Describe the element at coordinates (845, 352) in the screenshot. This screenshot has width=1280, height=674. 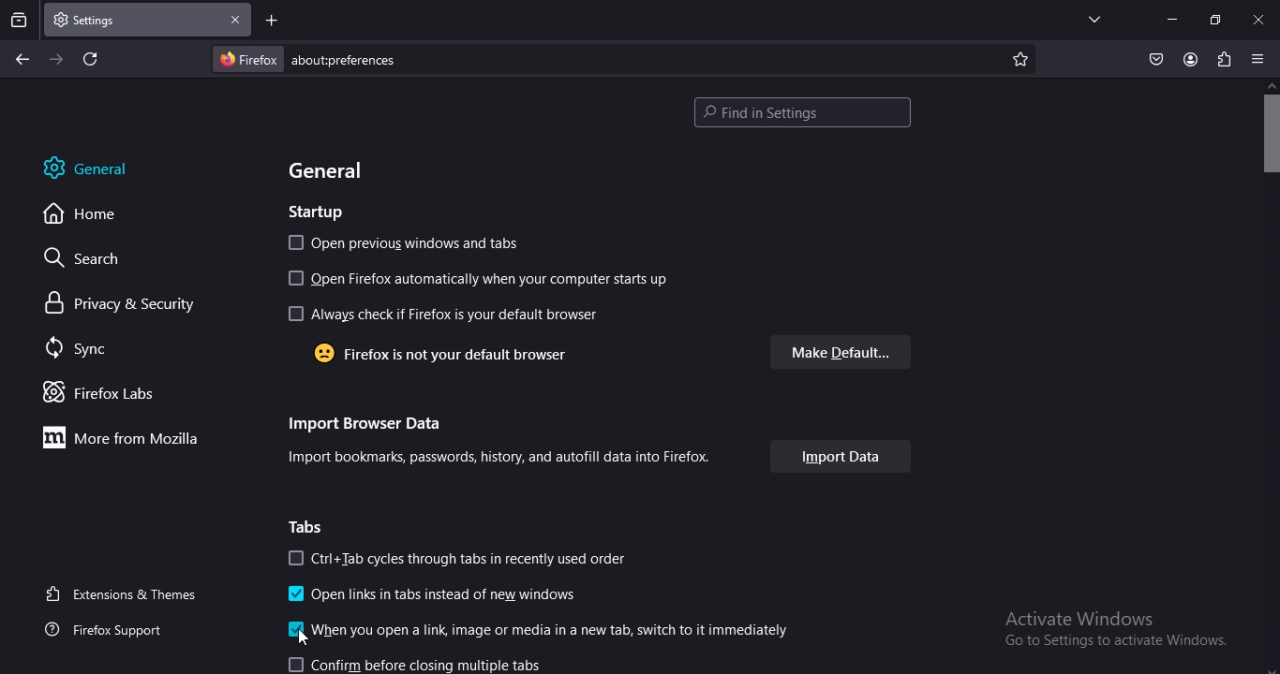
I see `make default` at that location.